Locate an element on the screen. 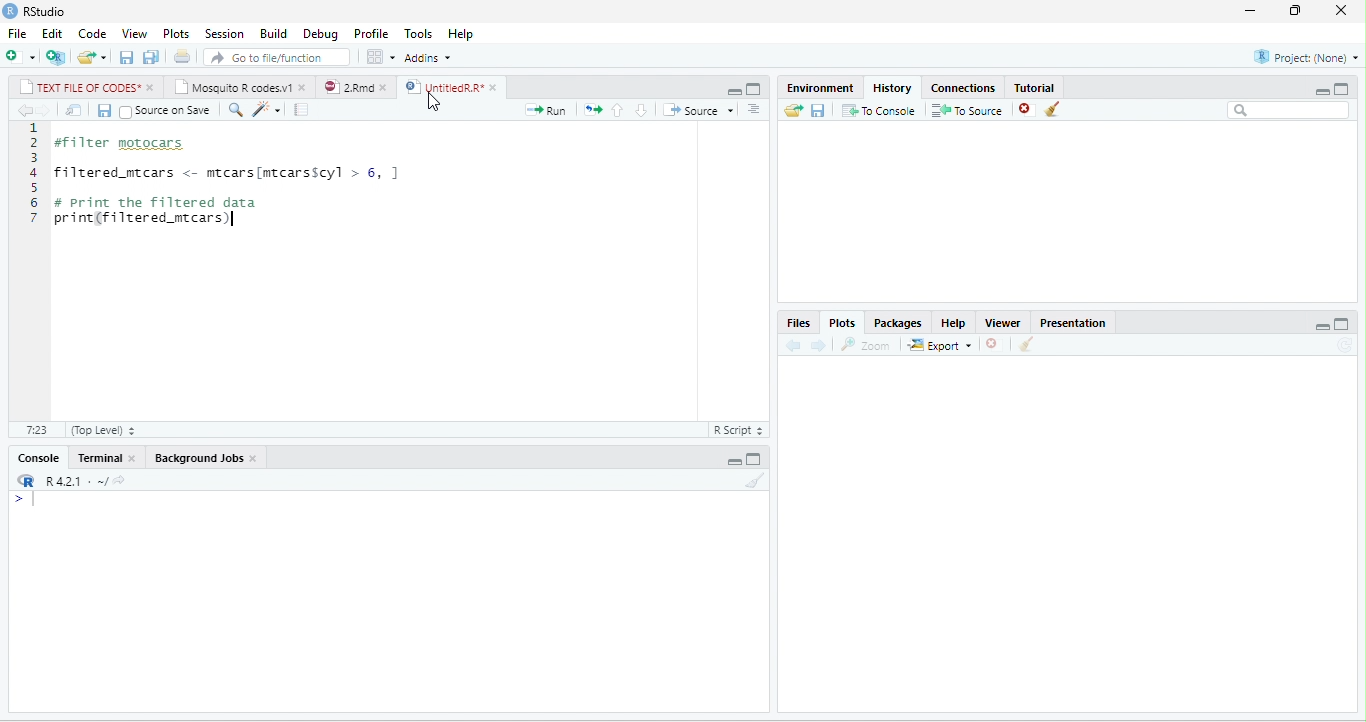 This screenshot has height=722, width=1366. View is located at coordinates (135, 33).